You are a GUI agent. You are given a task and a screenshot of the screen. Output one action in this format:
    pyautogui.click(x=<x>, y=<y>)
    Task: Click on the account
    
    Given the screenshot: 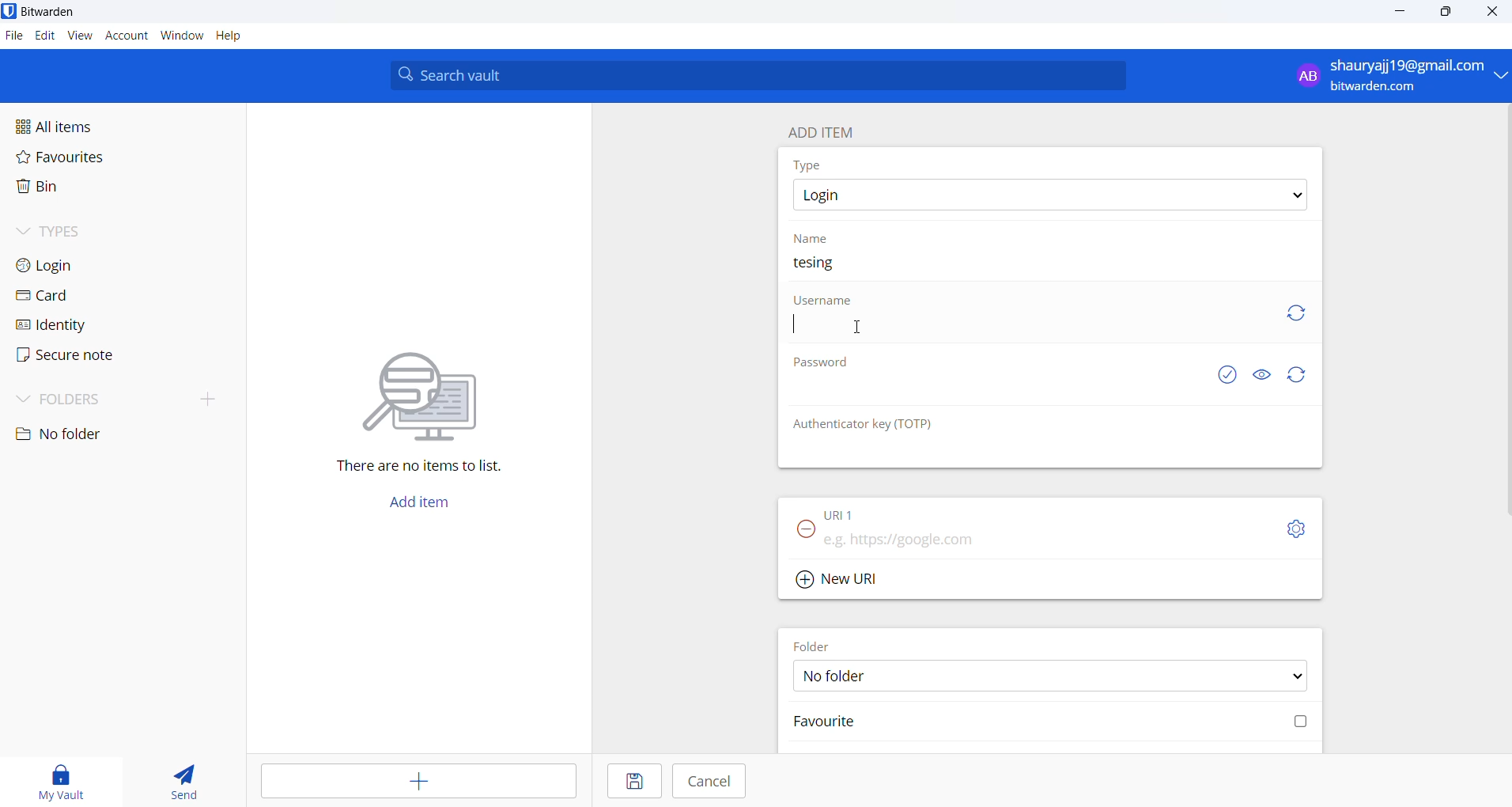 What is the action you would take?
    pyautogui.click(x=127, y=37)
    